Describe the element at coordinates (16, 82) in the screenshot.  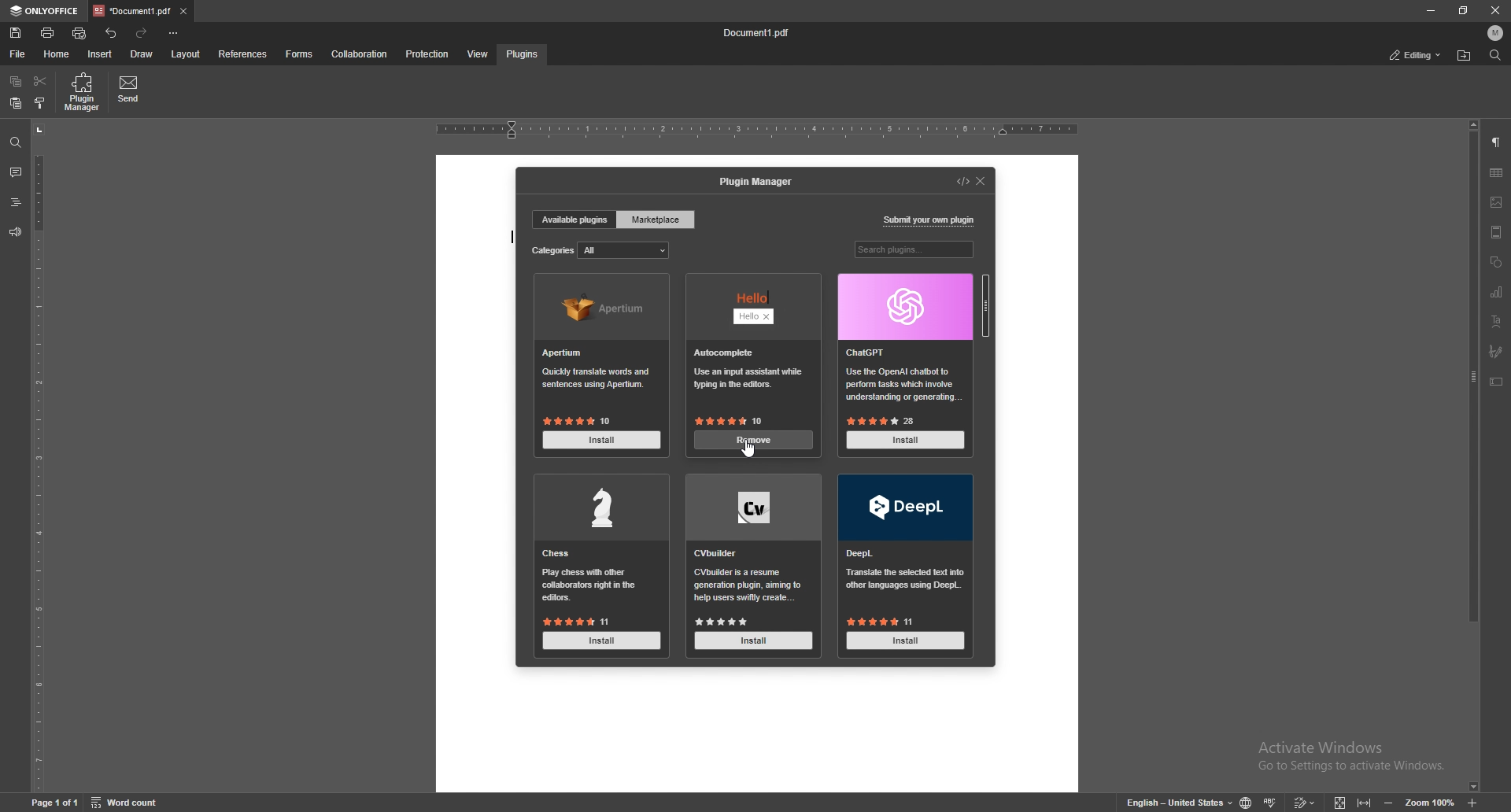
I see `copy` at that location.